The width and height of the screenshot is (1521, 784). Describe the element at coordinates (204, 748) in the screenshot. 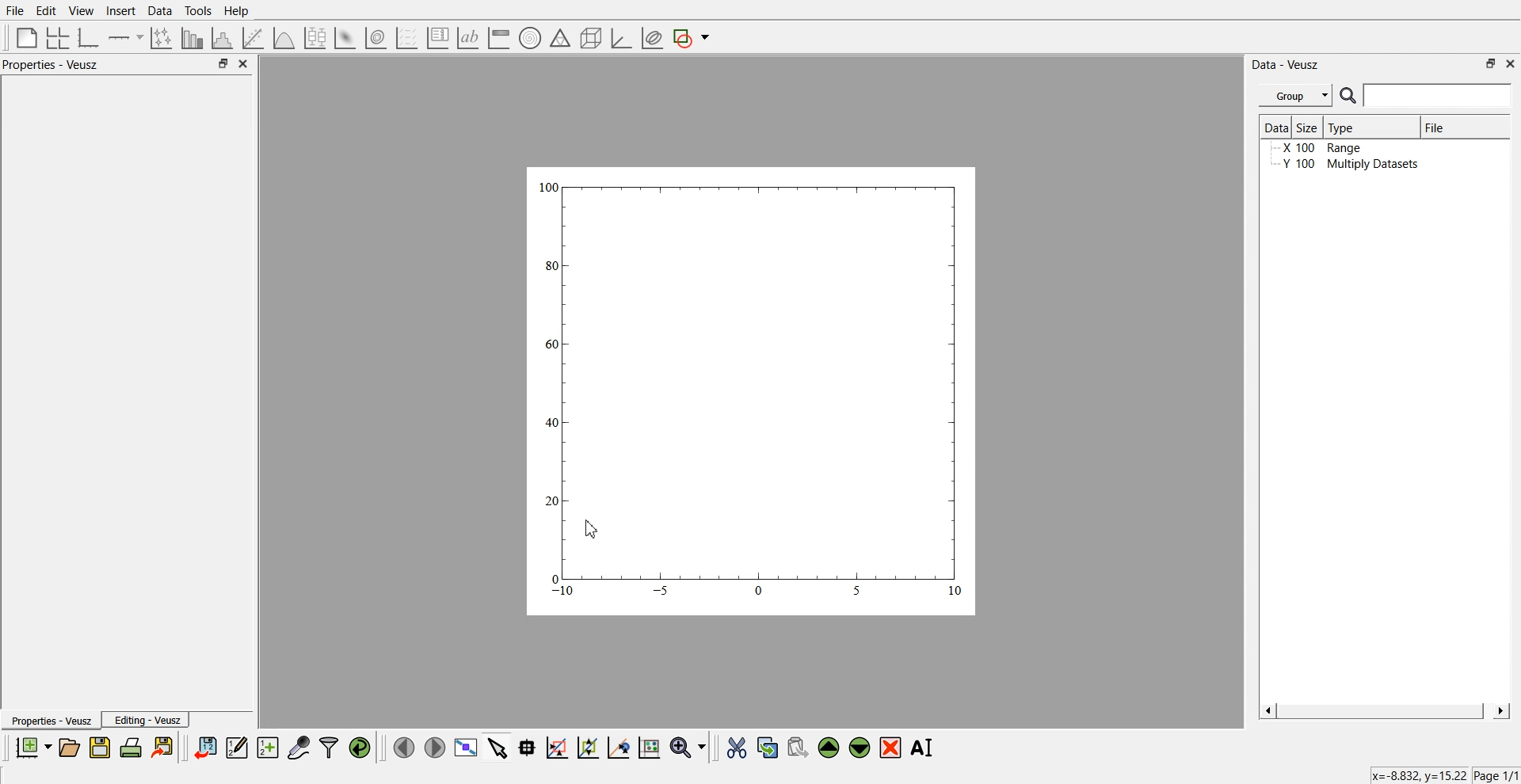

I see `import data sets` at that location.